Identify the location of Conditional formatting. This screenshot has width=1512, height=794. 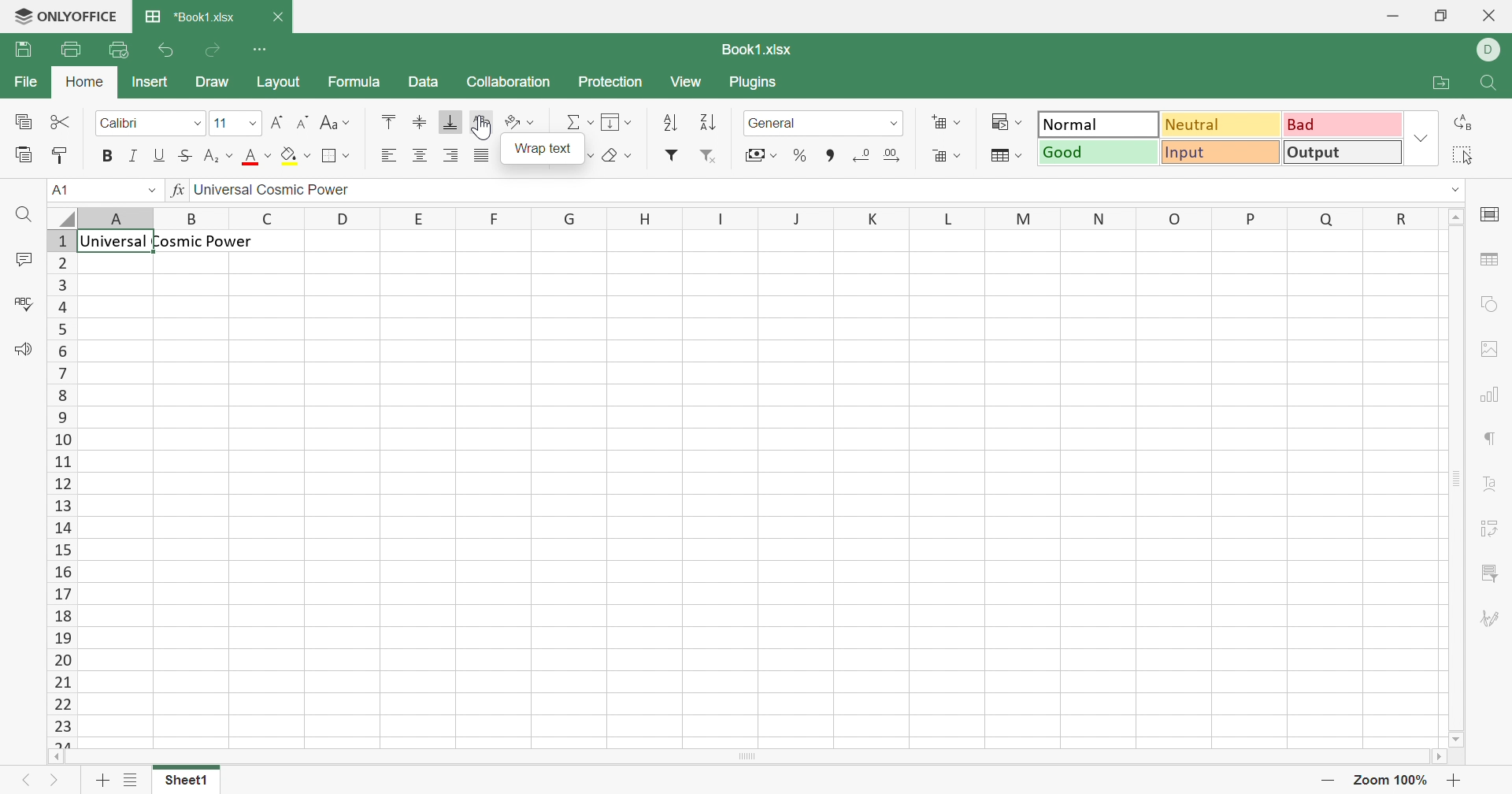
(1008, 122).